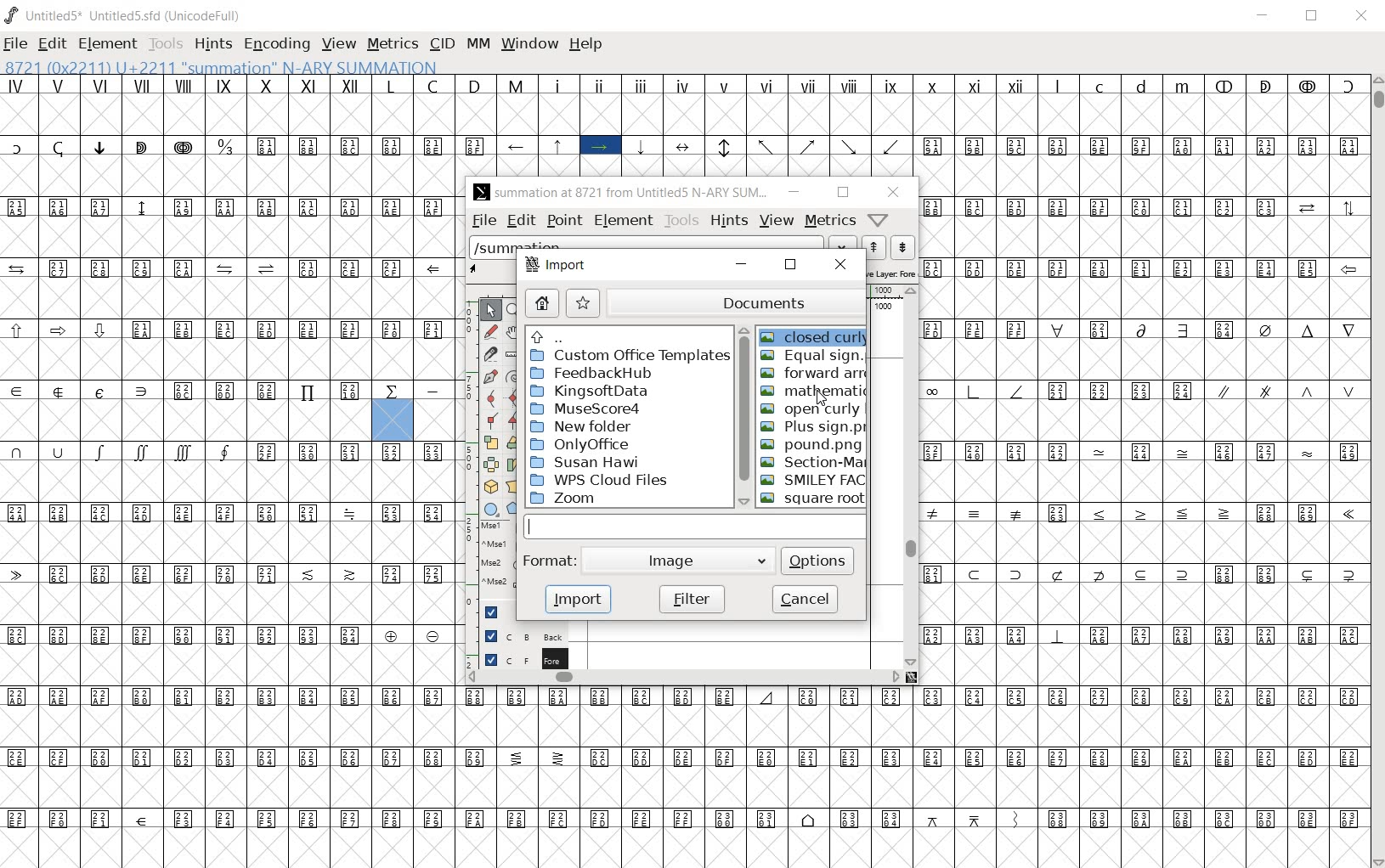 The height and width of the screenshot is (868, 1385). I want to click on MAGNIFY, so click(515, 310).